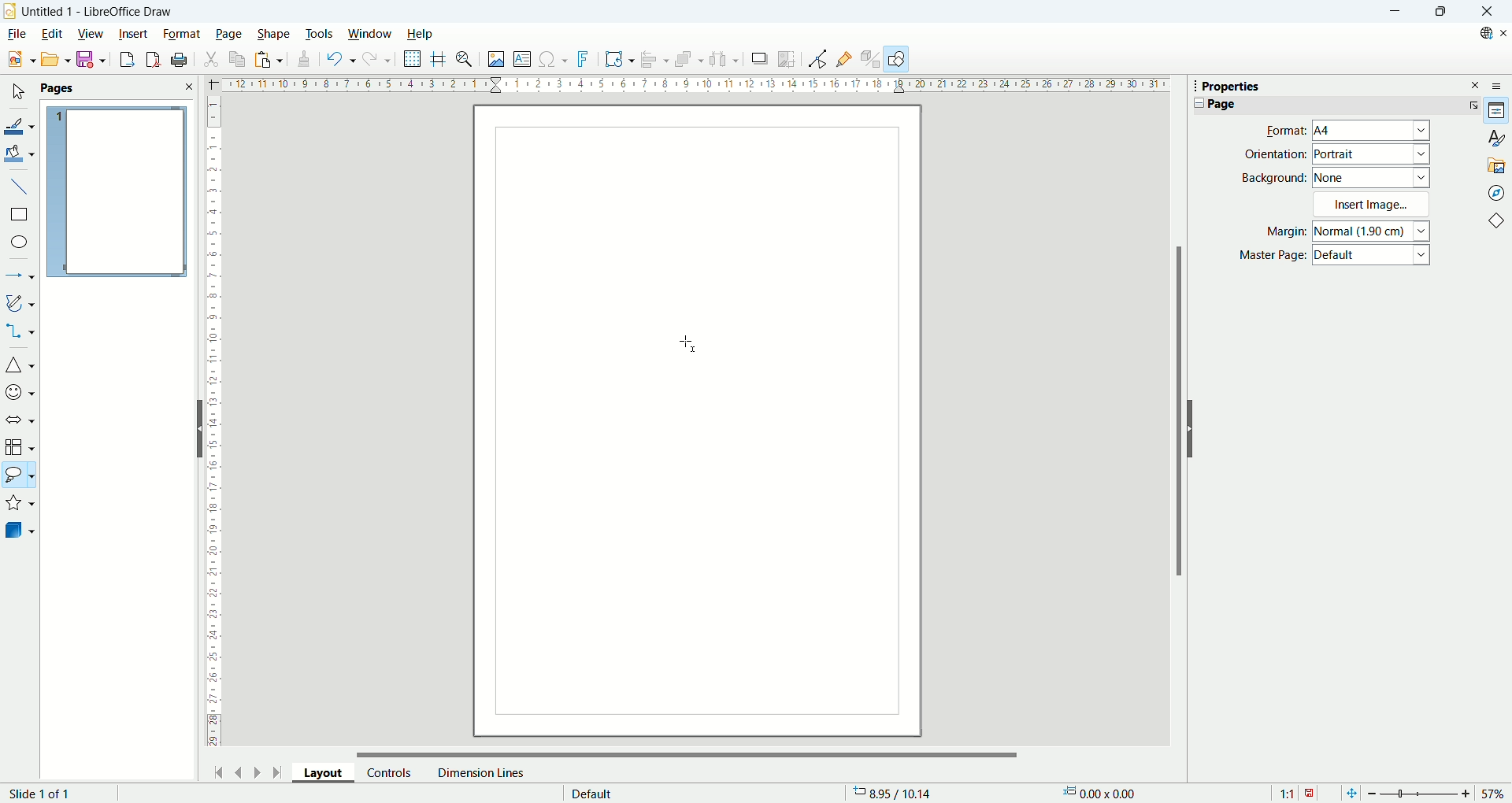 The width and height of the screenshot is (1512, 803). What do you see at coordinates (20, 243) in the screenshot?
I see `ellipse` at bounding box center [20, 243].